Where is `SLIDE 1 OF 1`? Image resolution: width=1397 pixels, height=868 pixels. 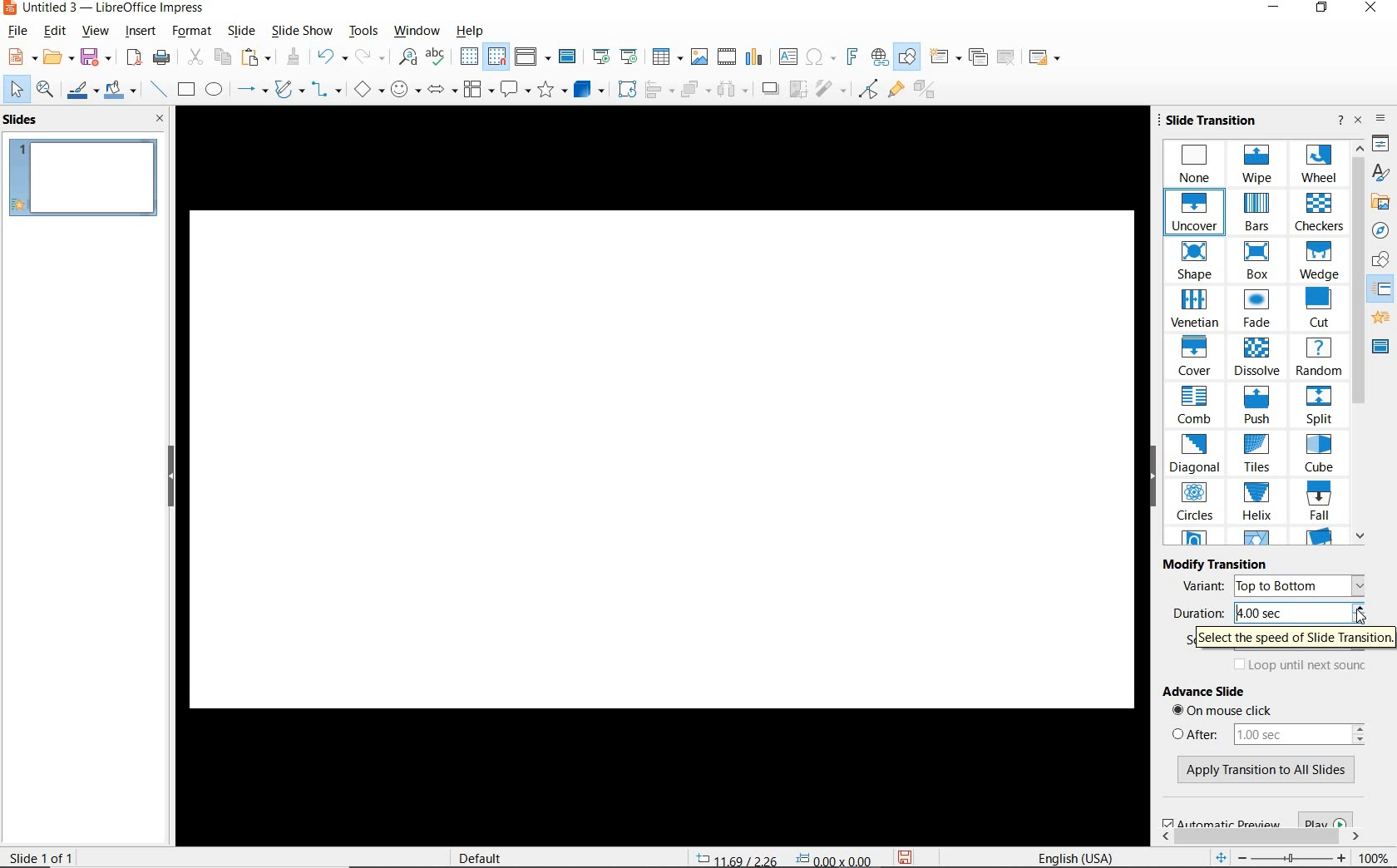
SLIDE 1 OF 1 is located at coordinates (42, 857).